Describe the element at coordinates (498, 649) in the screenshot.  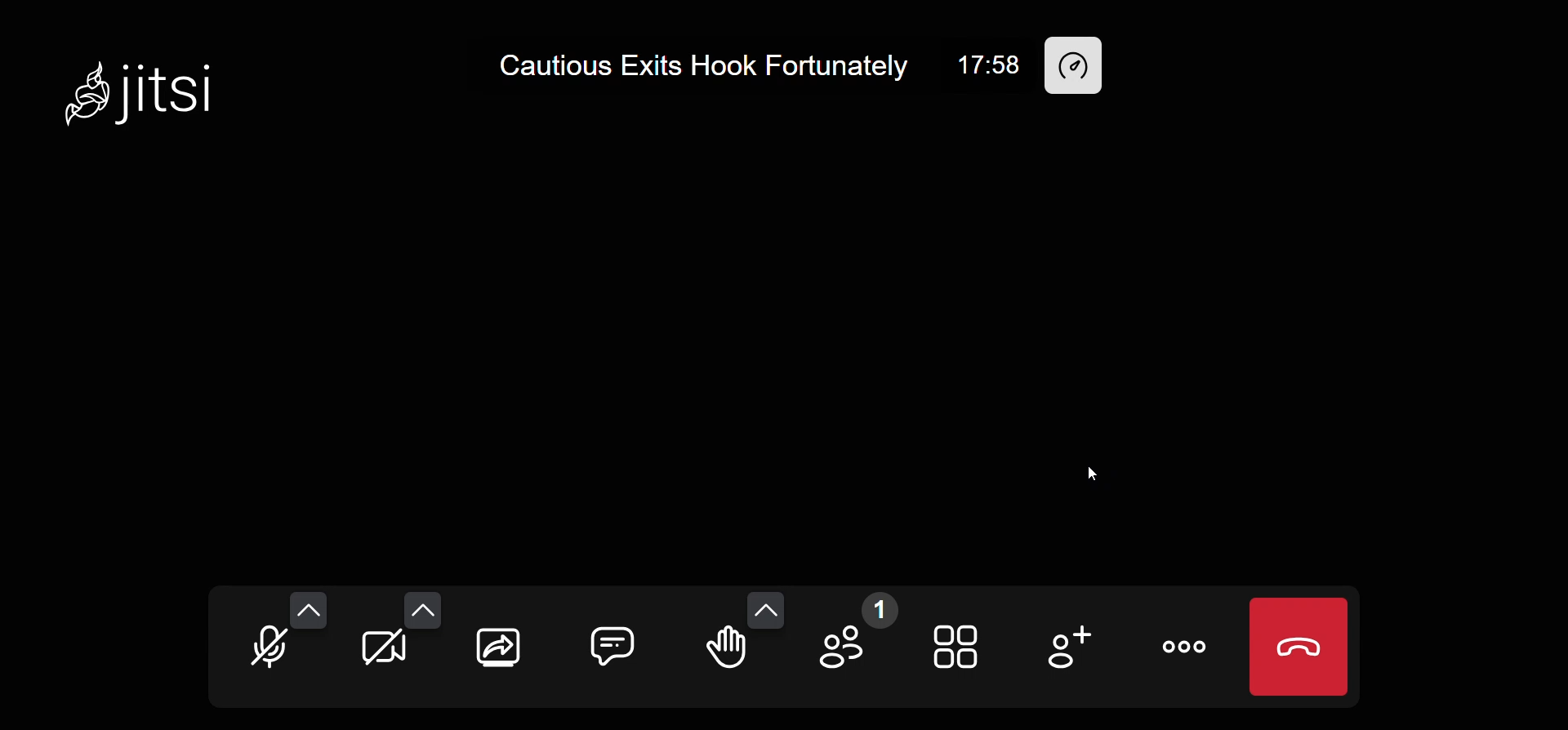
I see `screen share` at that location.